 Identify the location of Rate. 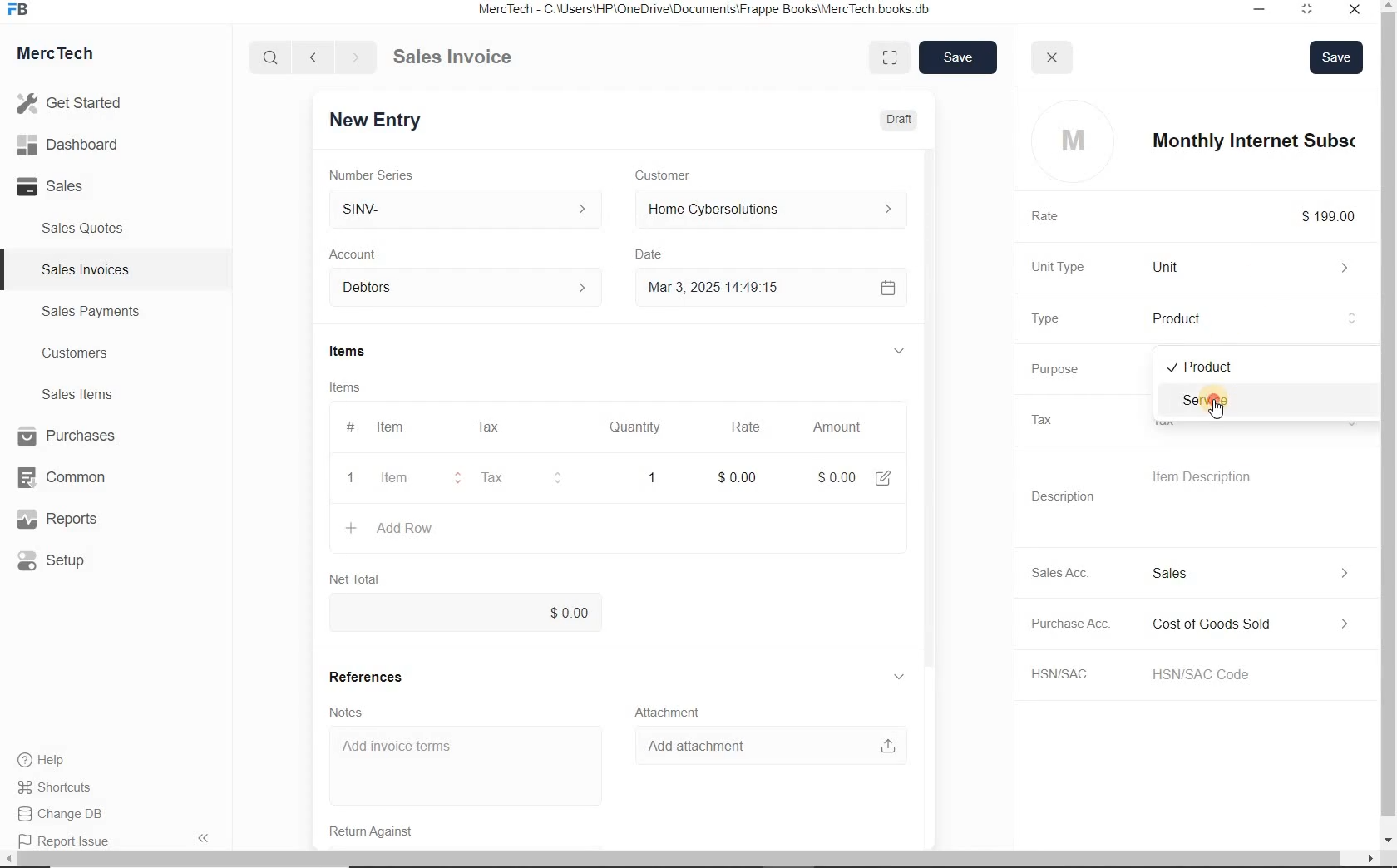
(753, 427).